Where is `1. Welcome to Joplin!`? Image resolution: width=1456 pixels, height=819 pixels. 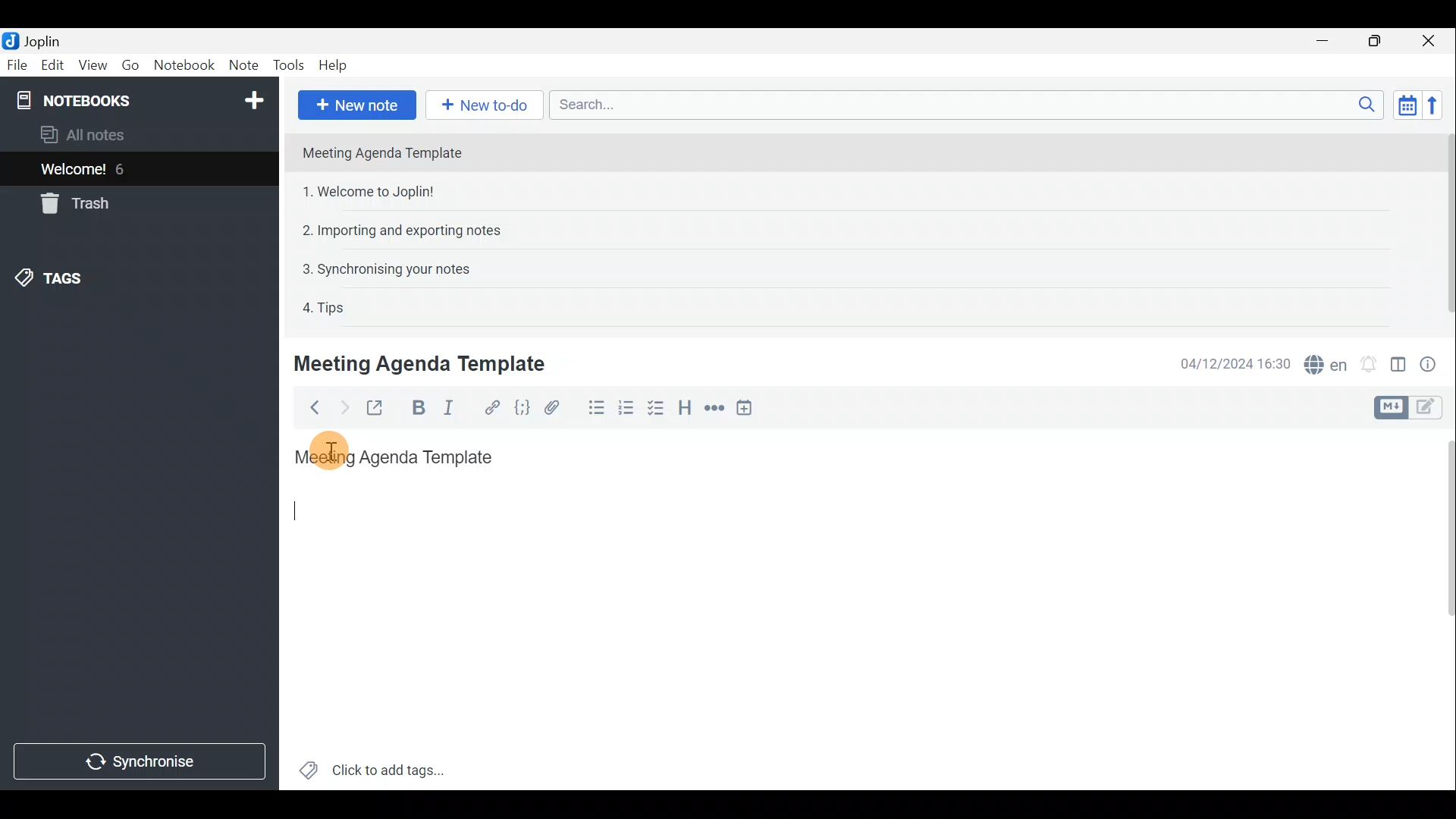 1. Welcome to Joplin! is located at coordinates (373, 191).